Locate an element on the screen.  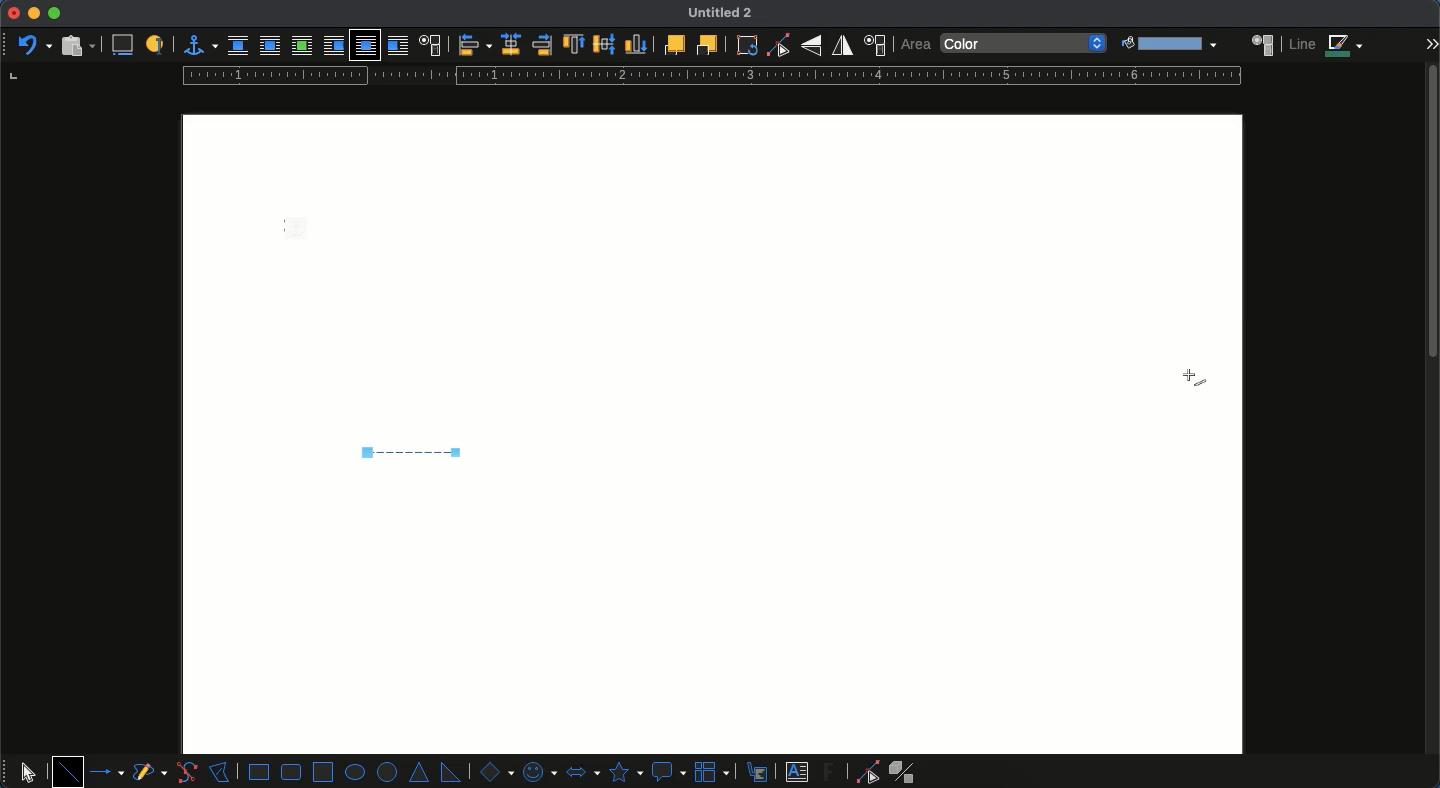
right triangle is located at coordinates (450, 771).